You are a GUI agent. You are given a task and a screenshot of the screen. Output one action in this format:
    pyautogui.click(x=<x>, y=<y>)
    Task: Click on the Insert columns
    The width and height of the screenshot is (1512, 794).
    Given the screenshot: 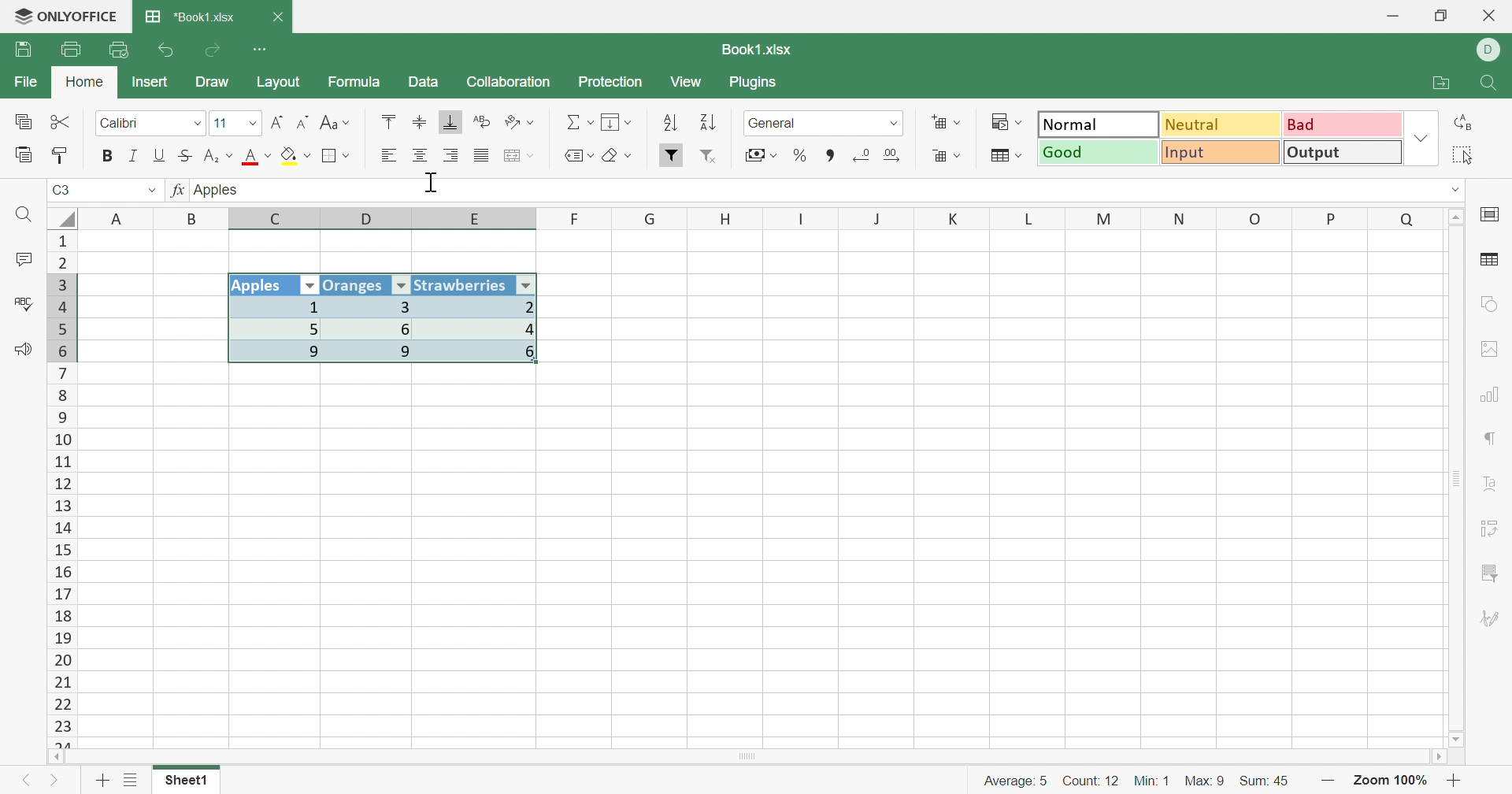 What is the action you would take?
    pyautogui.click(x=519, y=156)
    